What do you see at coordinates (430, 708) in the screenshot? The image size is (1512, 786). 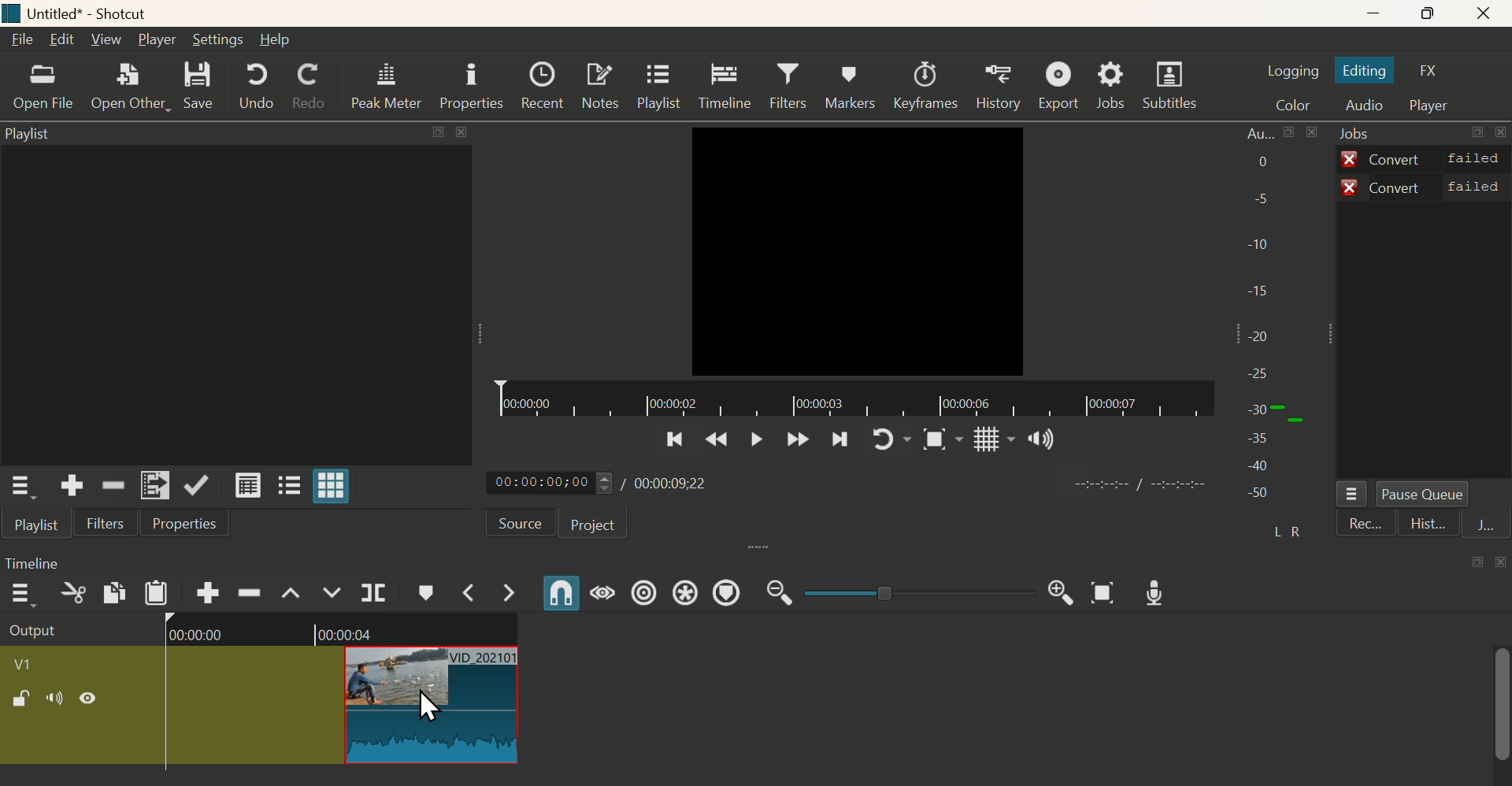 I see `Cursor` at bounding box center [430, 708].